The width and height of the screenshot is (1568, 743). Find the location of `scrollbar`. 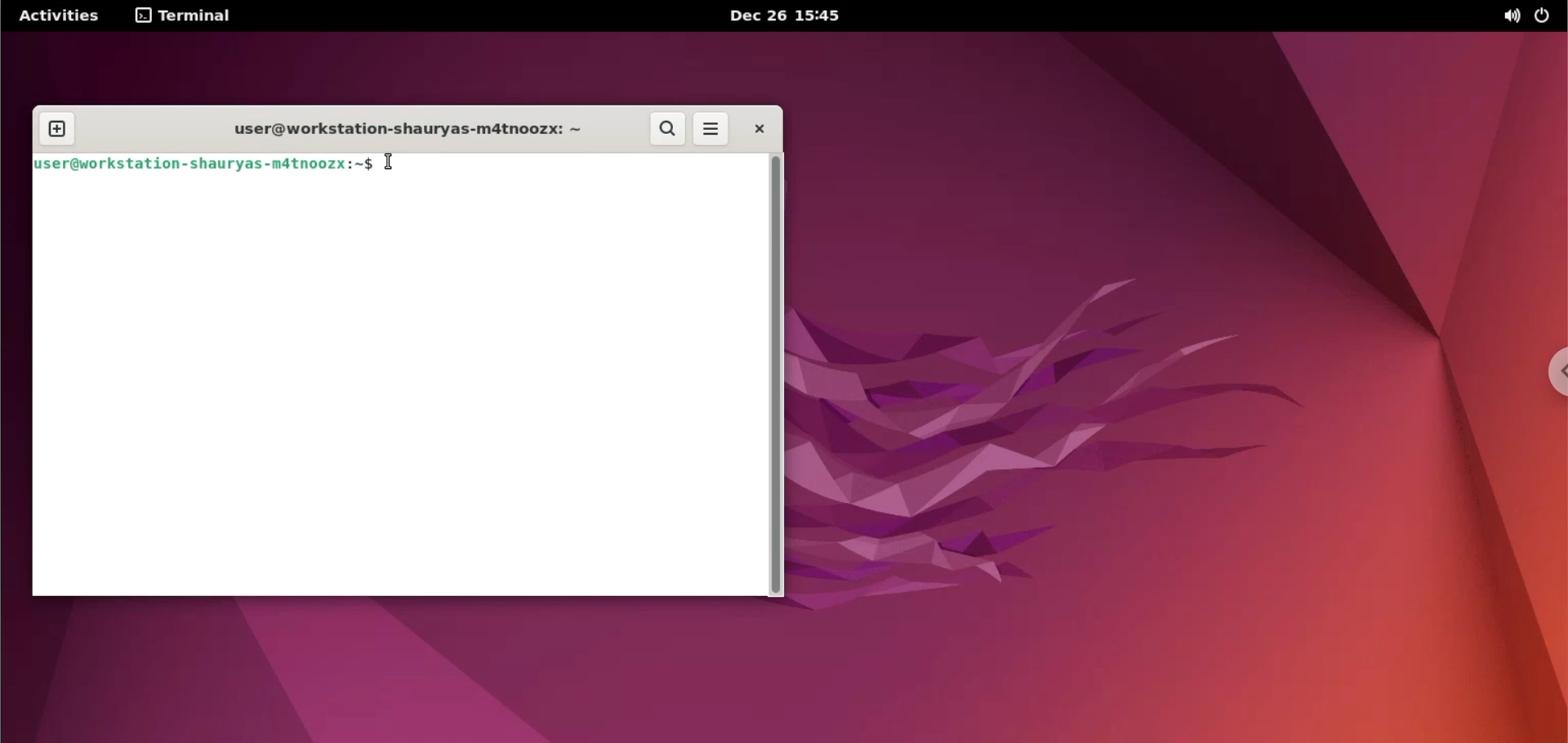

scrollbar is located at coordinates (777, 376).